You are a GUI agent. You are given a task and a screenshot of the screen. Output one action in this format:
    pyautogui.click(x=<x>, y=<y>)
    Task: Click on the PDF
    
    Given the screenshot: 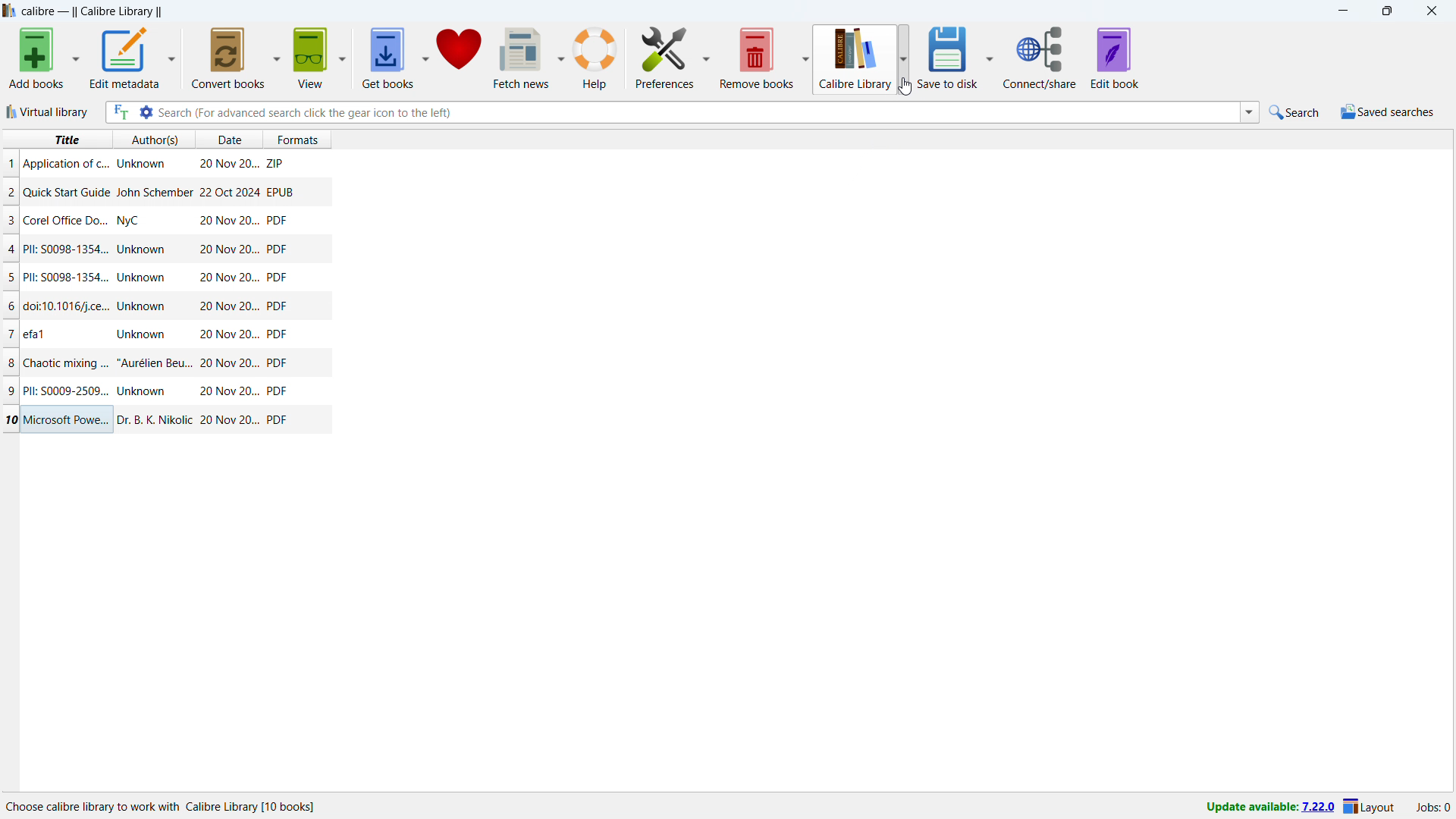 What is the action you would take?
    pyautogui.click(x=277, y=278)
    